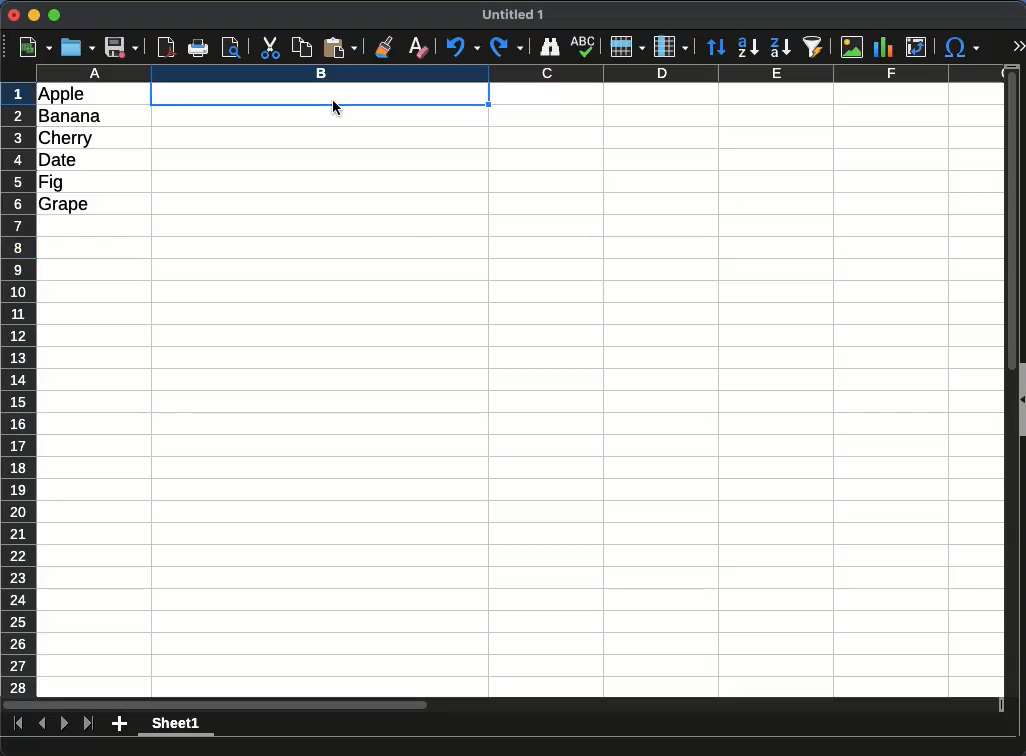  I want to click on sort, so click(717, 47).